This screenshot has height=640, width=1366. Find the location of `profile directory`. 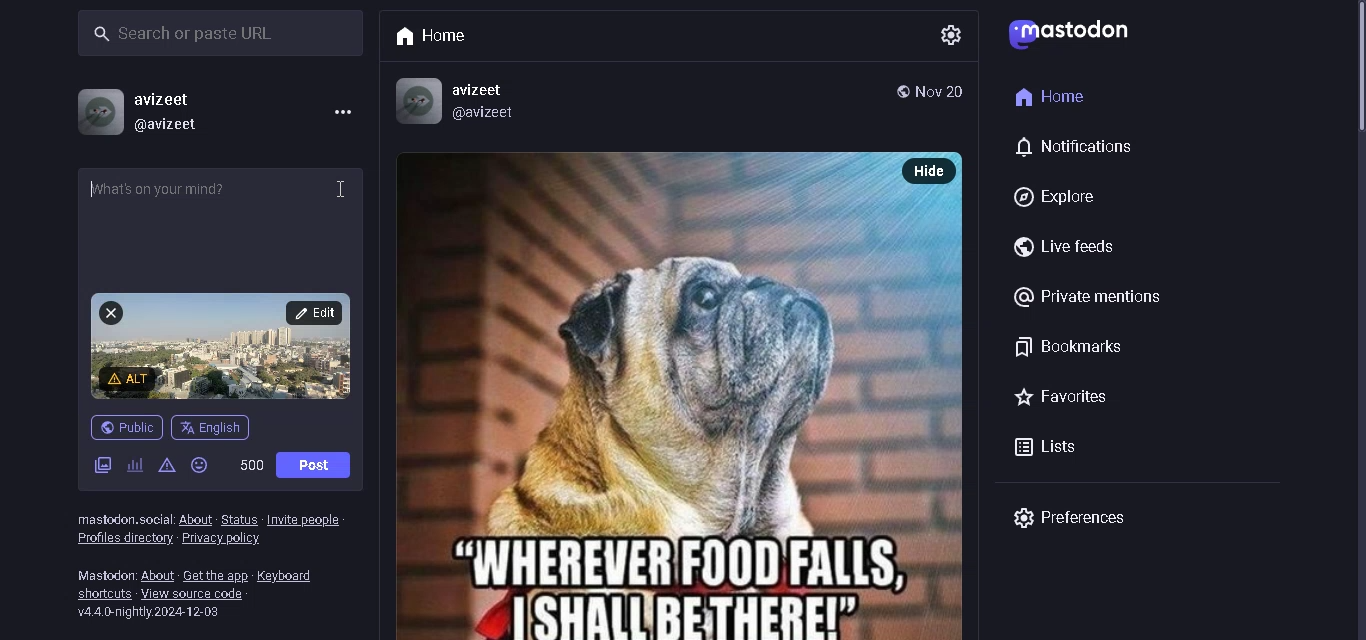

profile directory is located at coordinates (123, 539).